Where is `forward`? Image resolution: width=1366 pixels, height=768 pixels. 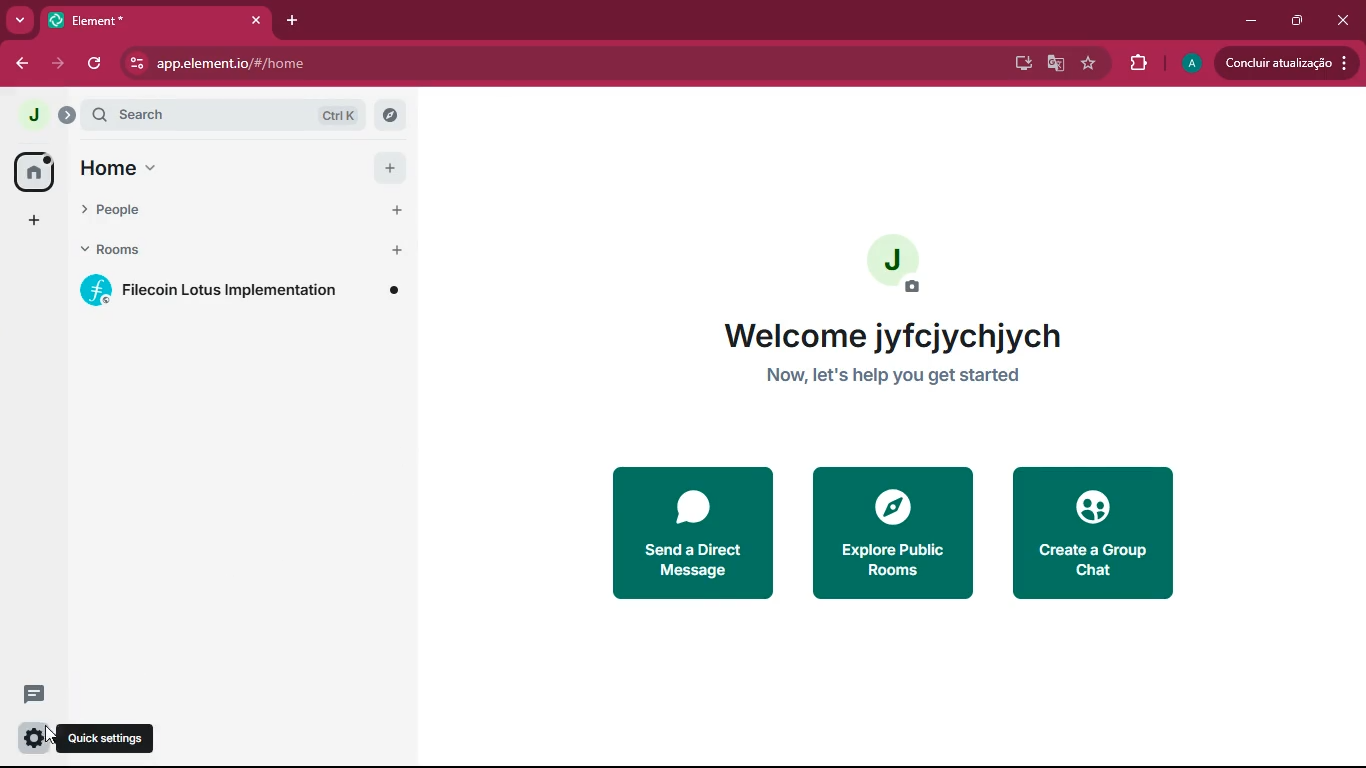
forward is located at coordinates (20, 65).